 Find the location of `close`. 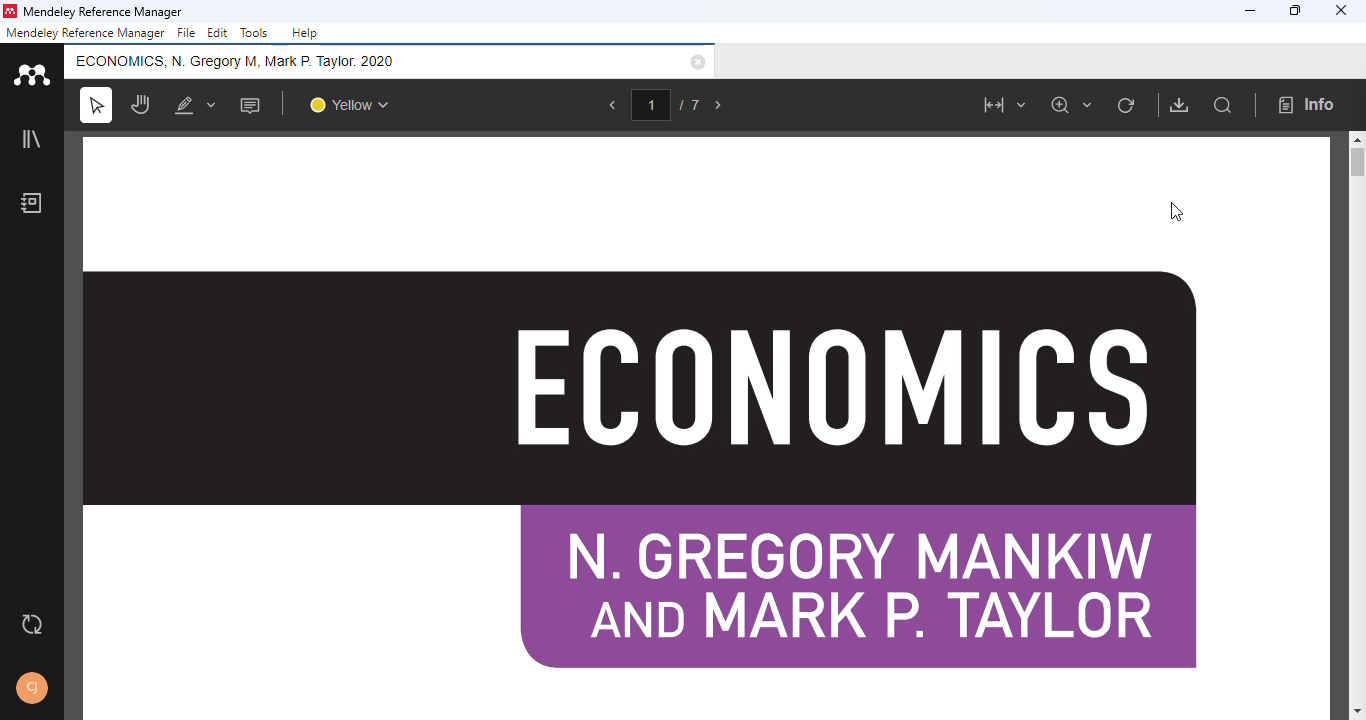

close is located at coordinates (1340, 10).